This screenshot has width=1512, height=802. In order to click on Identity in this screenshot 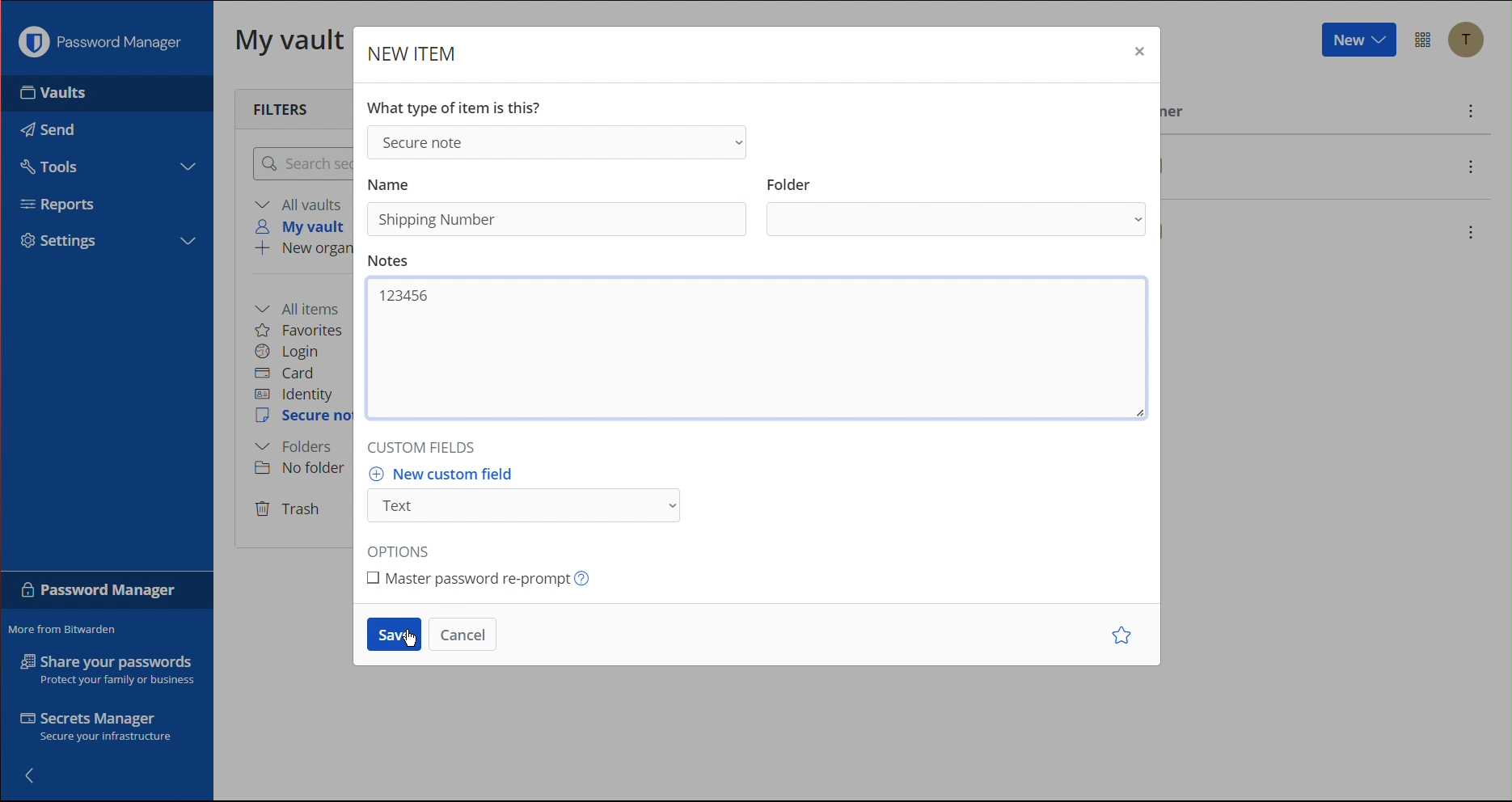, I will do `click(298, 394)`.